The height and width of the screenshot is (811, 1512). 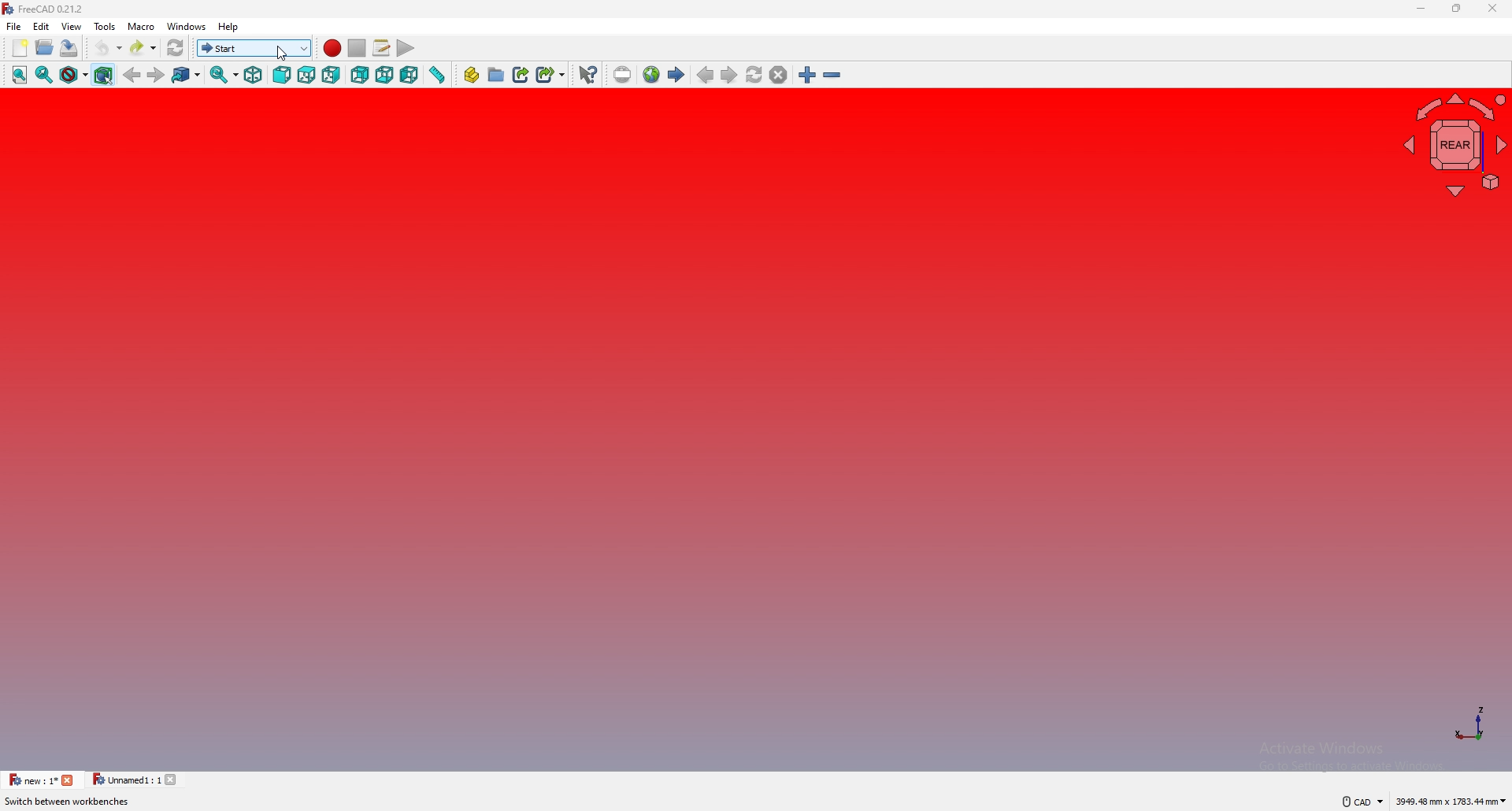 I want to click on top, so click(x=306, y=75).